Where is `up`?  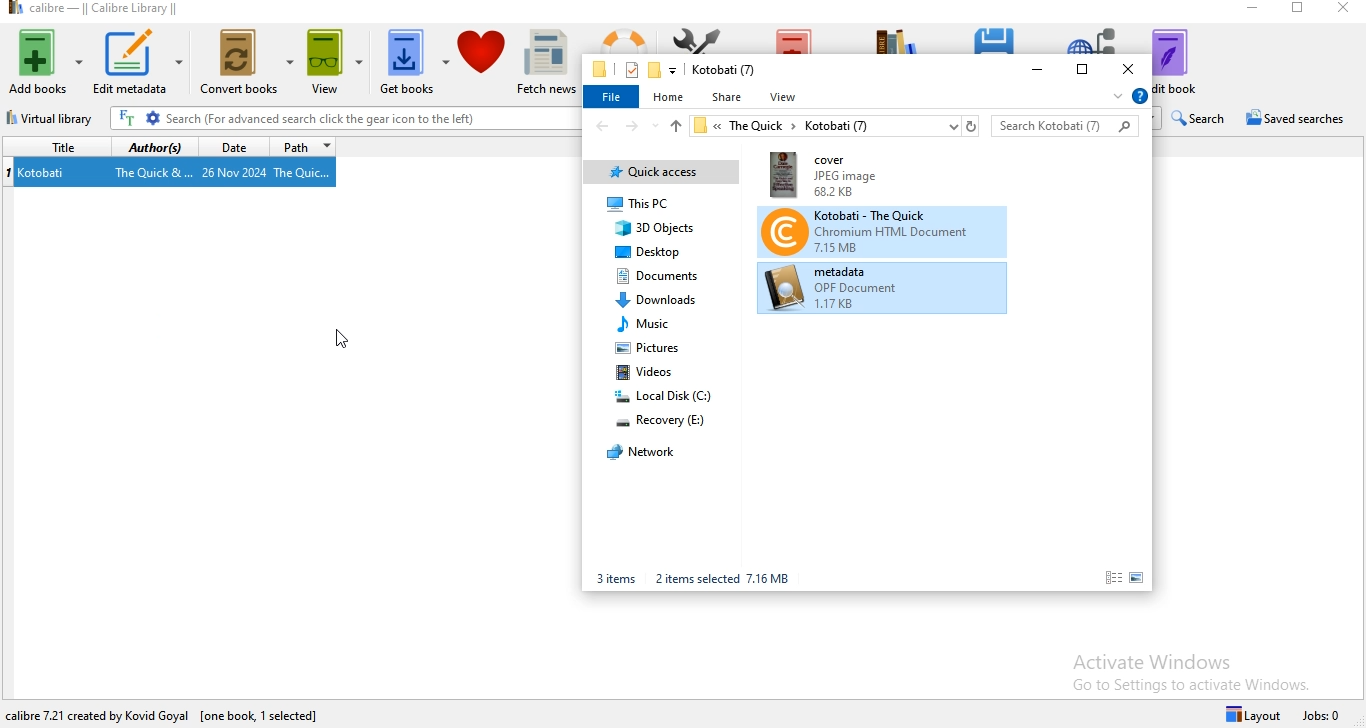 up is located at coordinates (675, 129).